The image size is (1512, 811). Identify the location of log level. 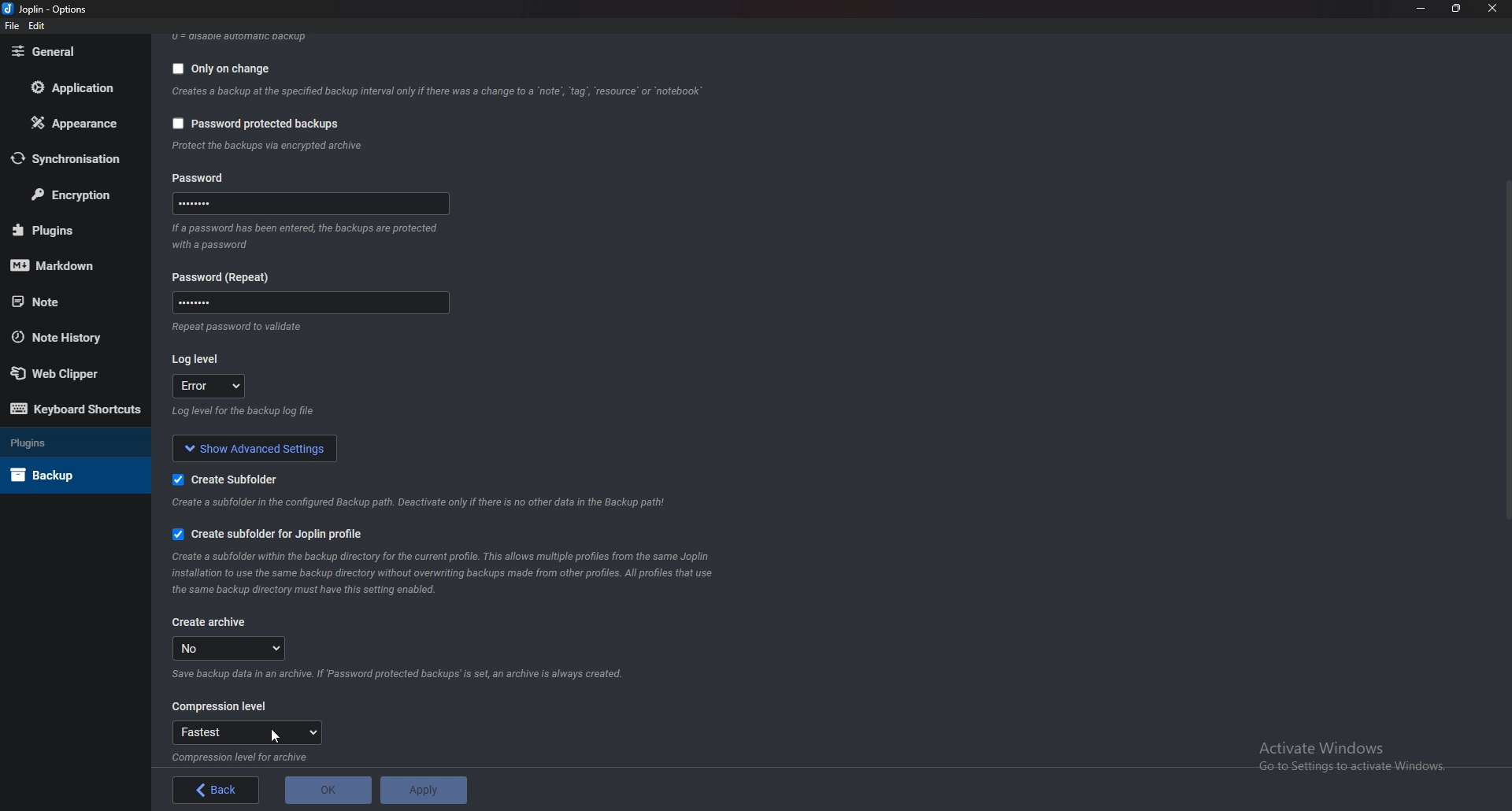
(209, 387).